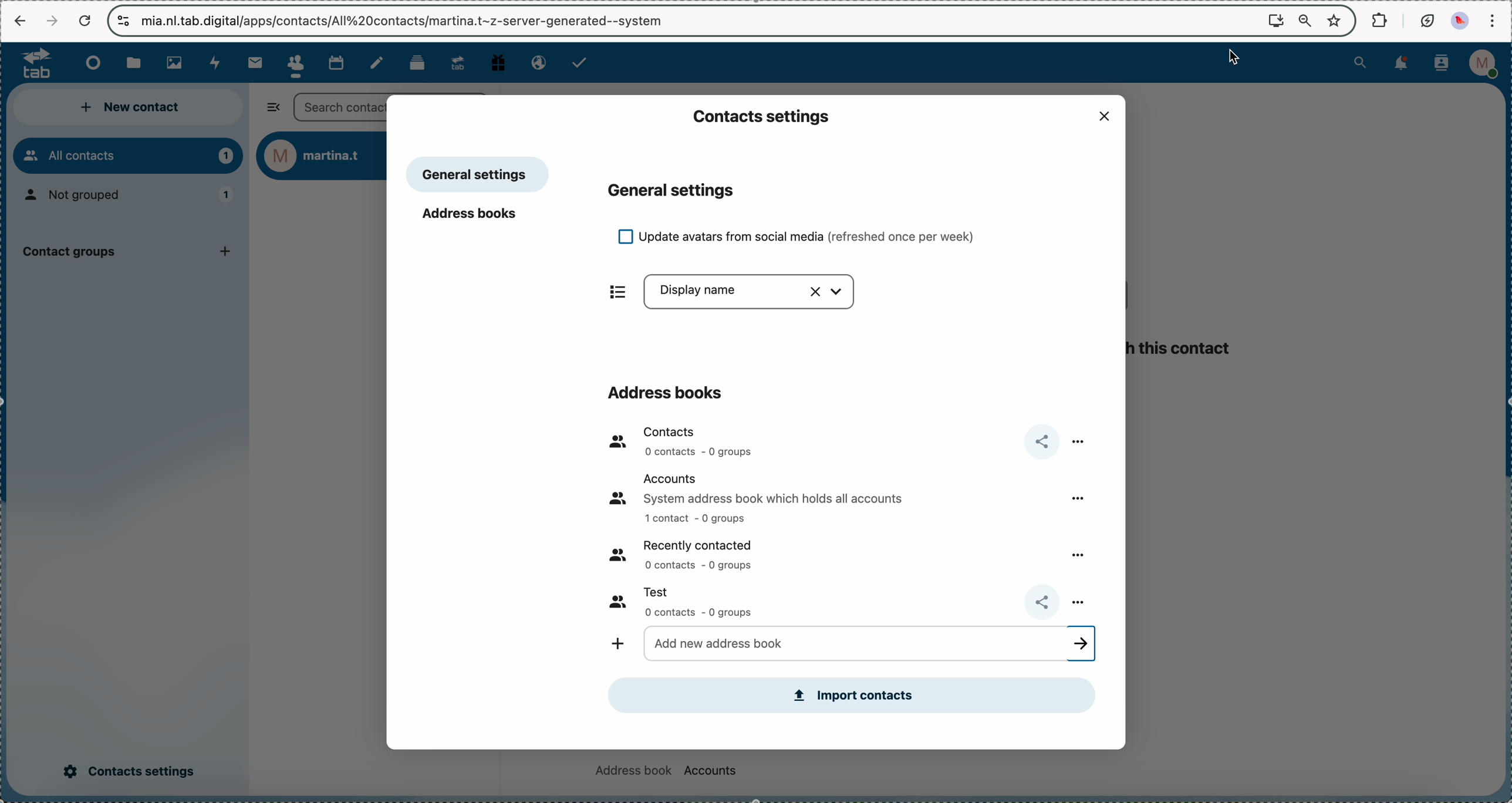  I want to click on favorites, so click(1334, 21).